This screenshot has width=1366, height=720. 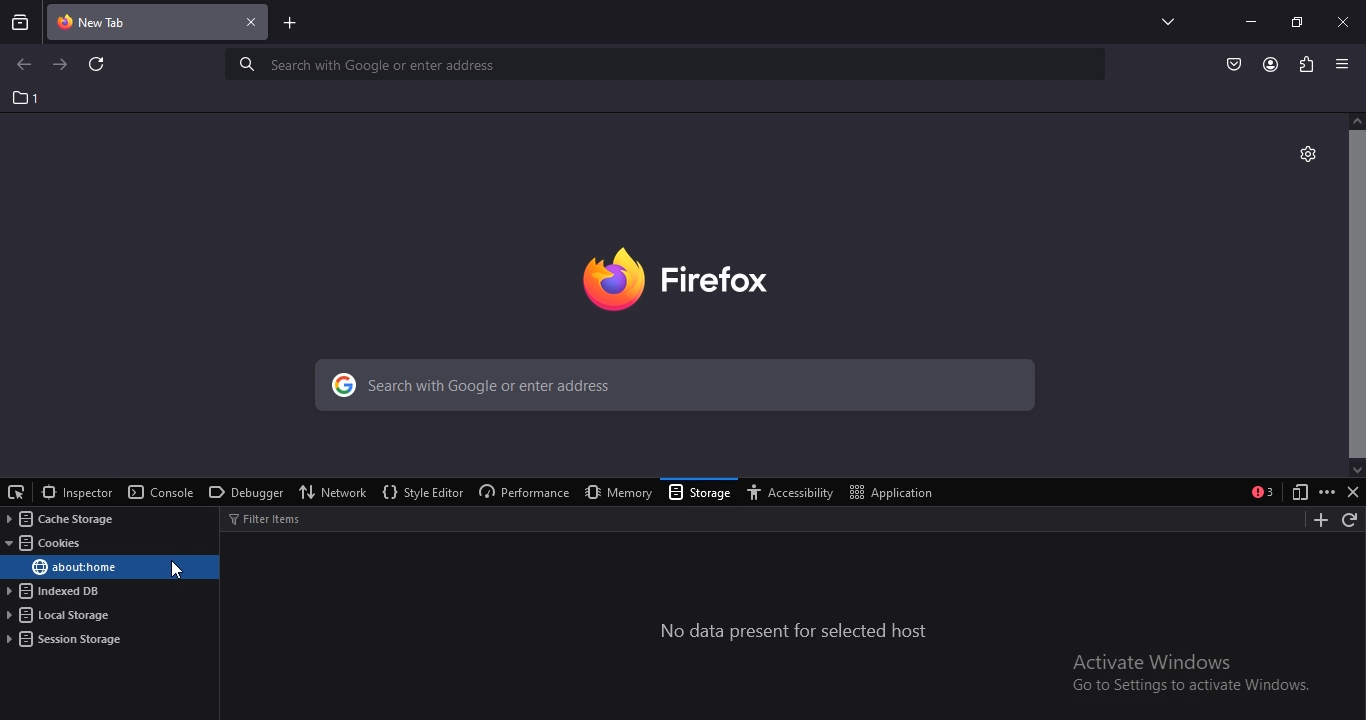 What do you see at coordinates (421, 493) in the screenshot?
I see `style editor` at bounding box center [421, 493].